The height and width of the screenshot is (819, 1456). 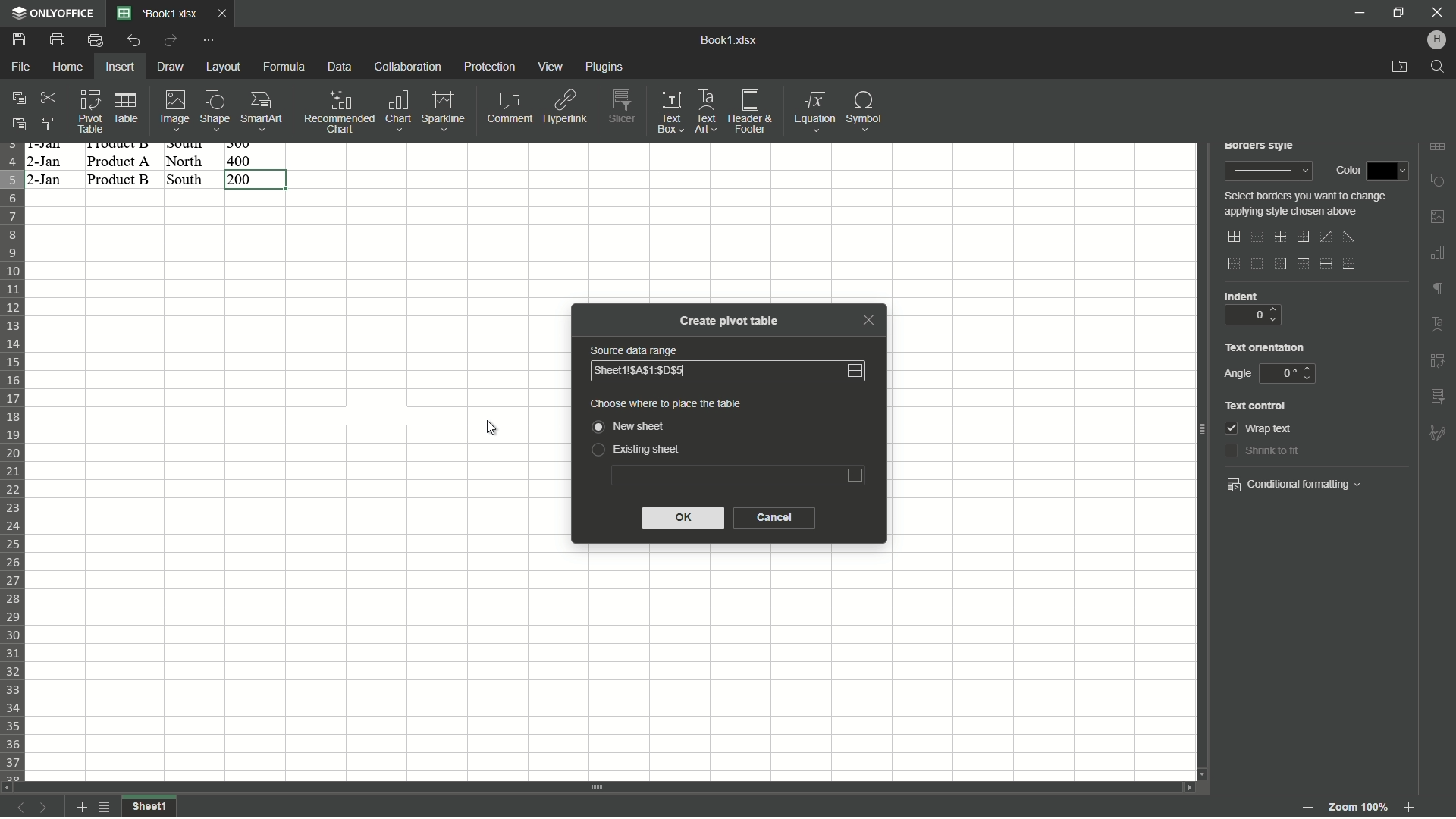 What do you see at coordinates (833, 224) in the screenshot?
I see `cells` at bounding box center [833, 224].